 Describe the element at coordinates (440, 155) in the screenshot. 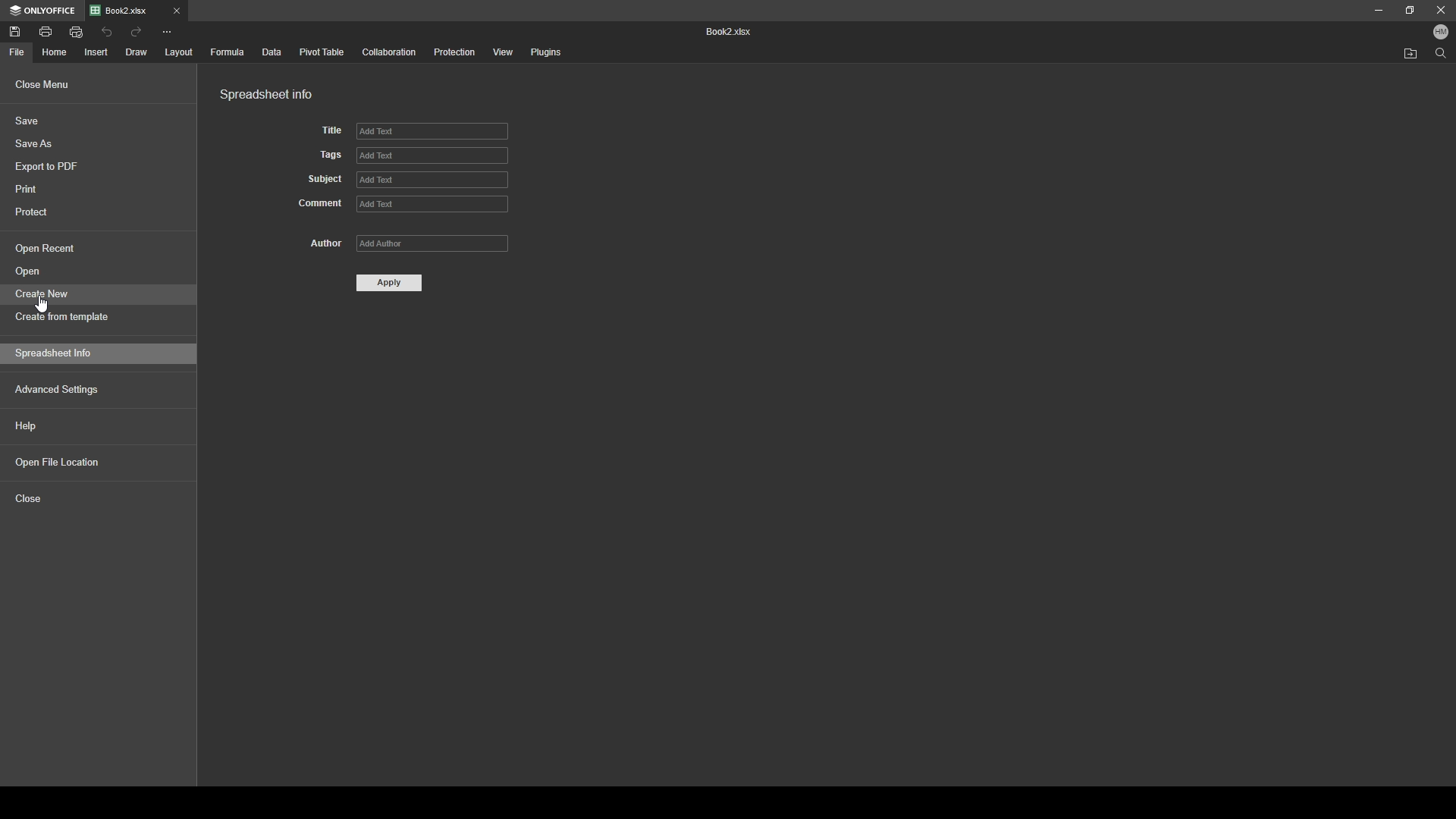

I see `add text` at that location.